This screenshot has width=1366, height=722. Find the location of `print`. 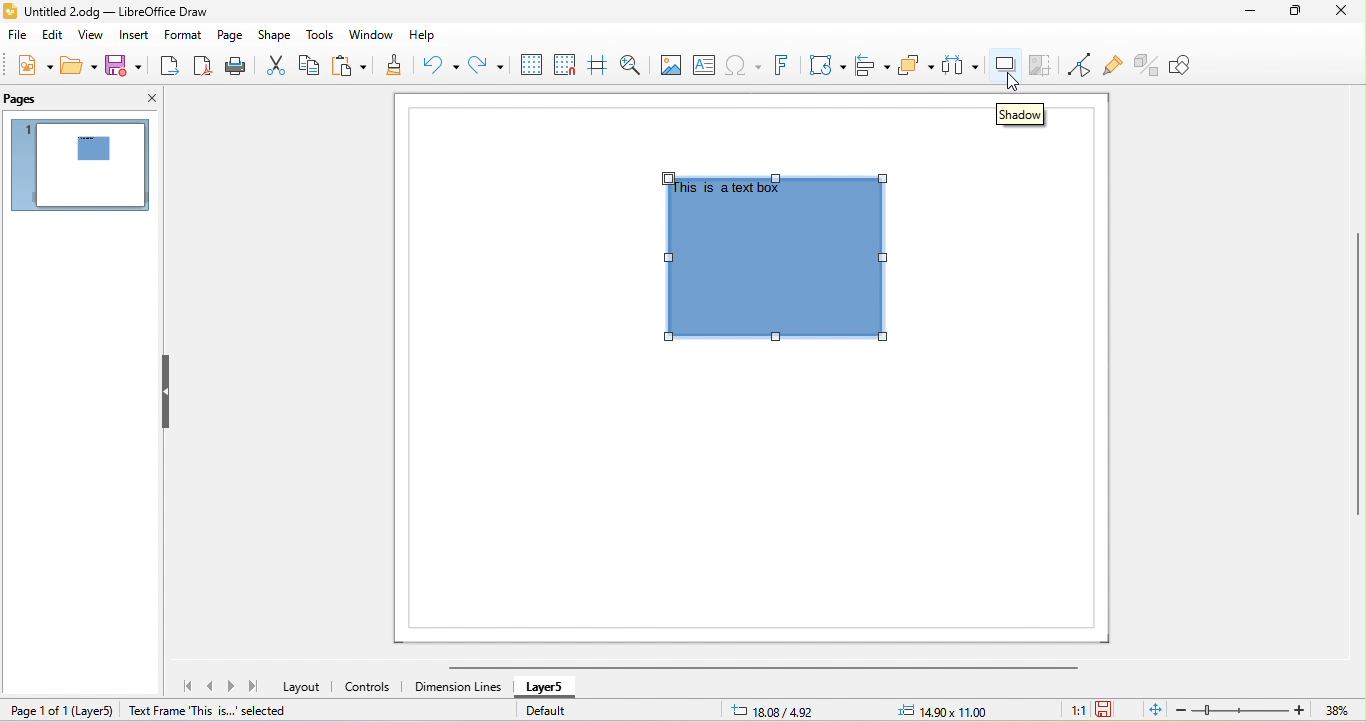

print is located at coordinates (235, 67).